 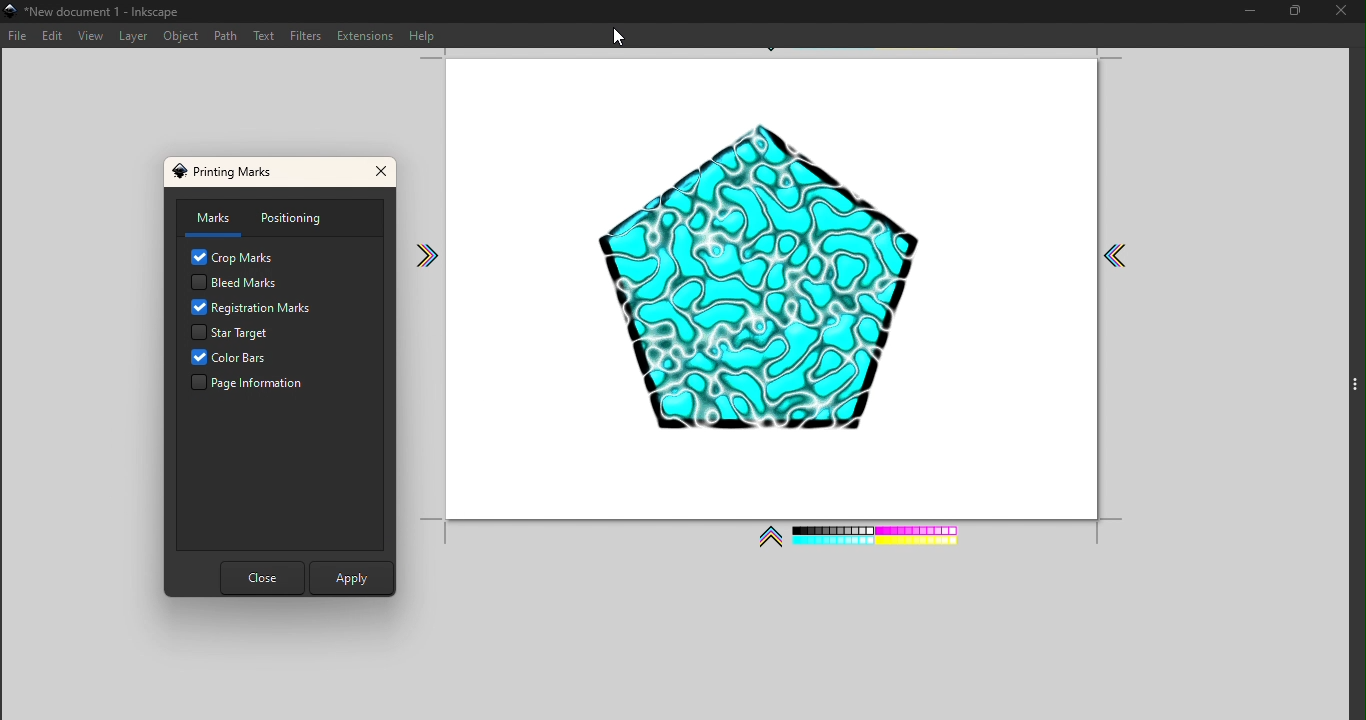 What do you see at coordinates (91, 36) in the screenshot?
I see `View` at bounding box center [91, 36].